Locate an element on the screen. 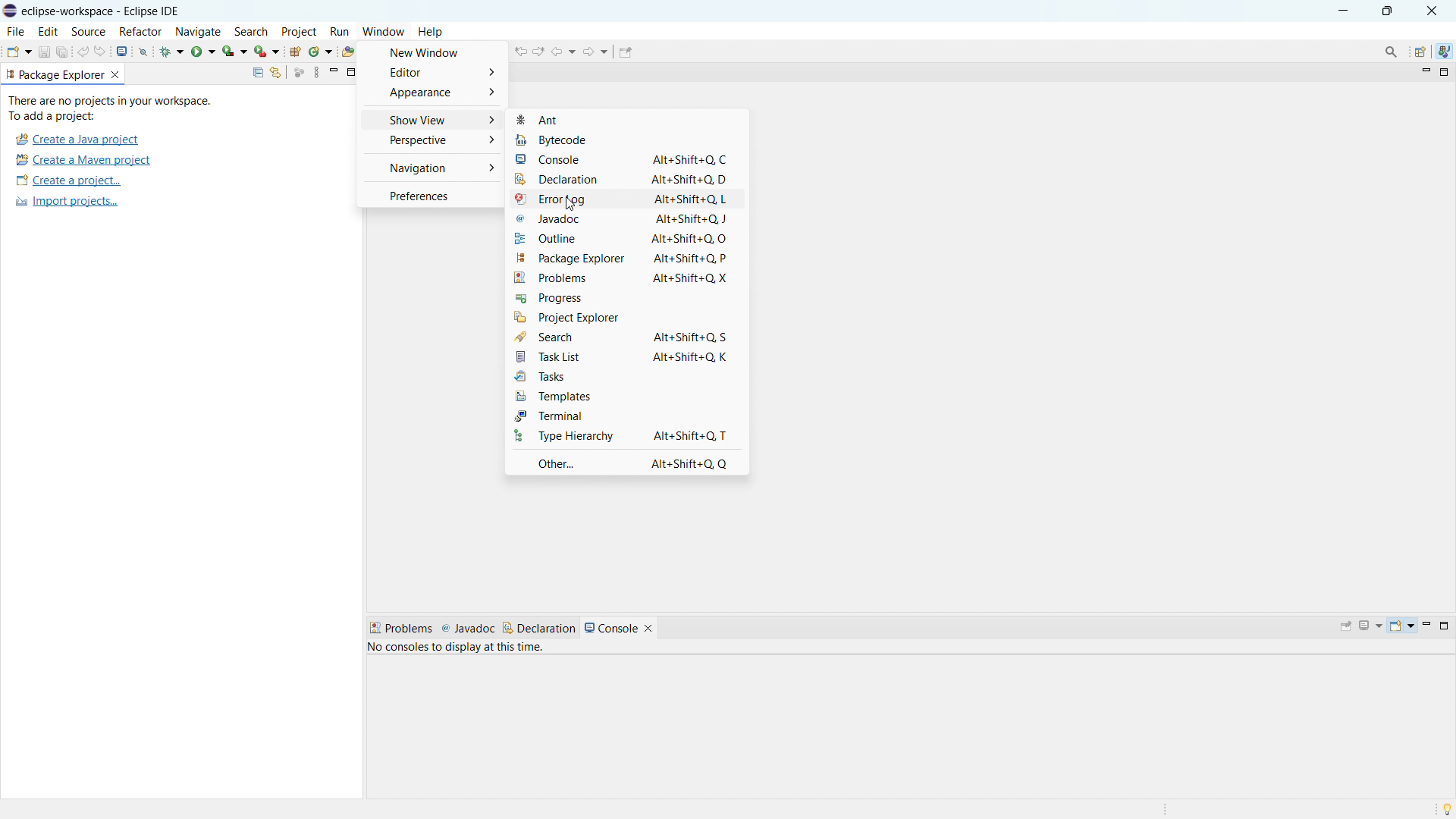  open console is located at coordinates (1401, 626).